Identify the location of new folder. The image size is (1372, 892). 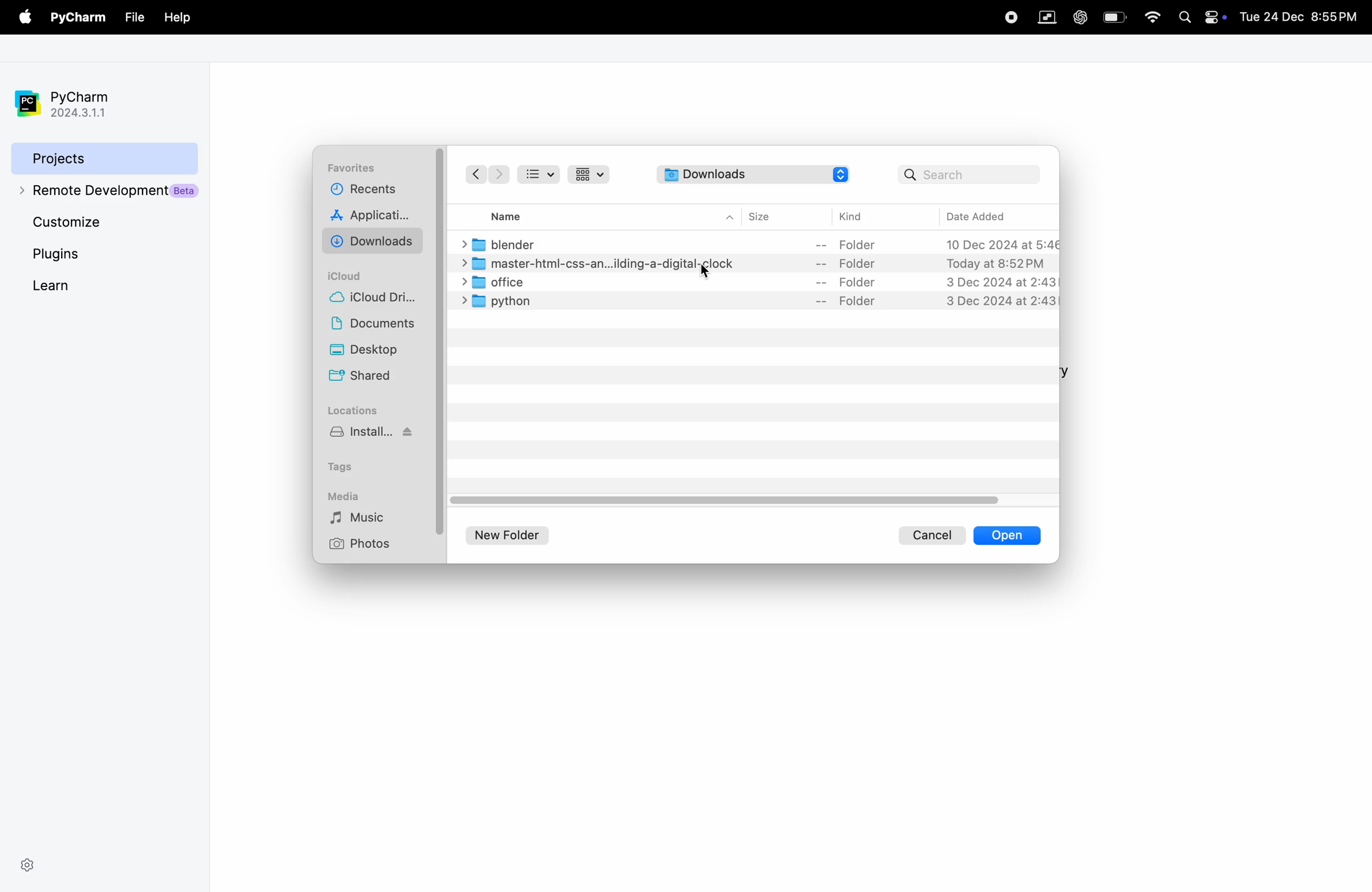
(513, 533).